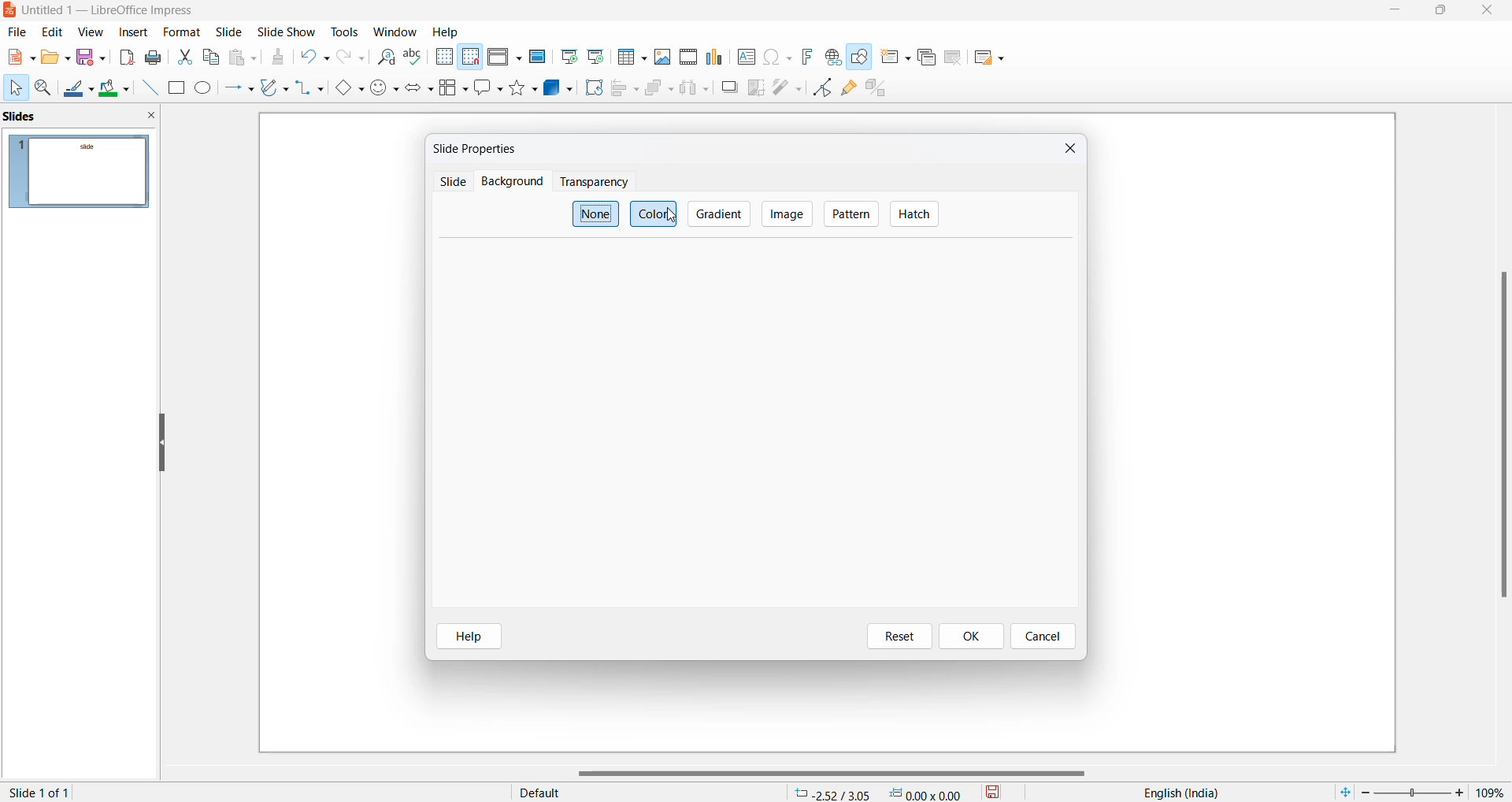  I want to click on spellings, so click(415, 58).